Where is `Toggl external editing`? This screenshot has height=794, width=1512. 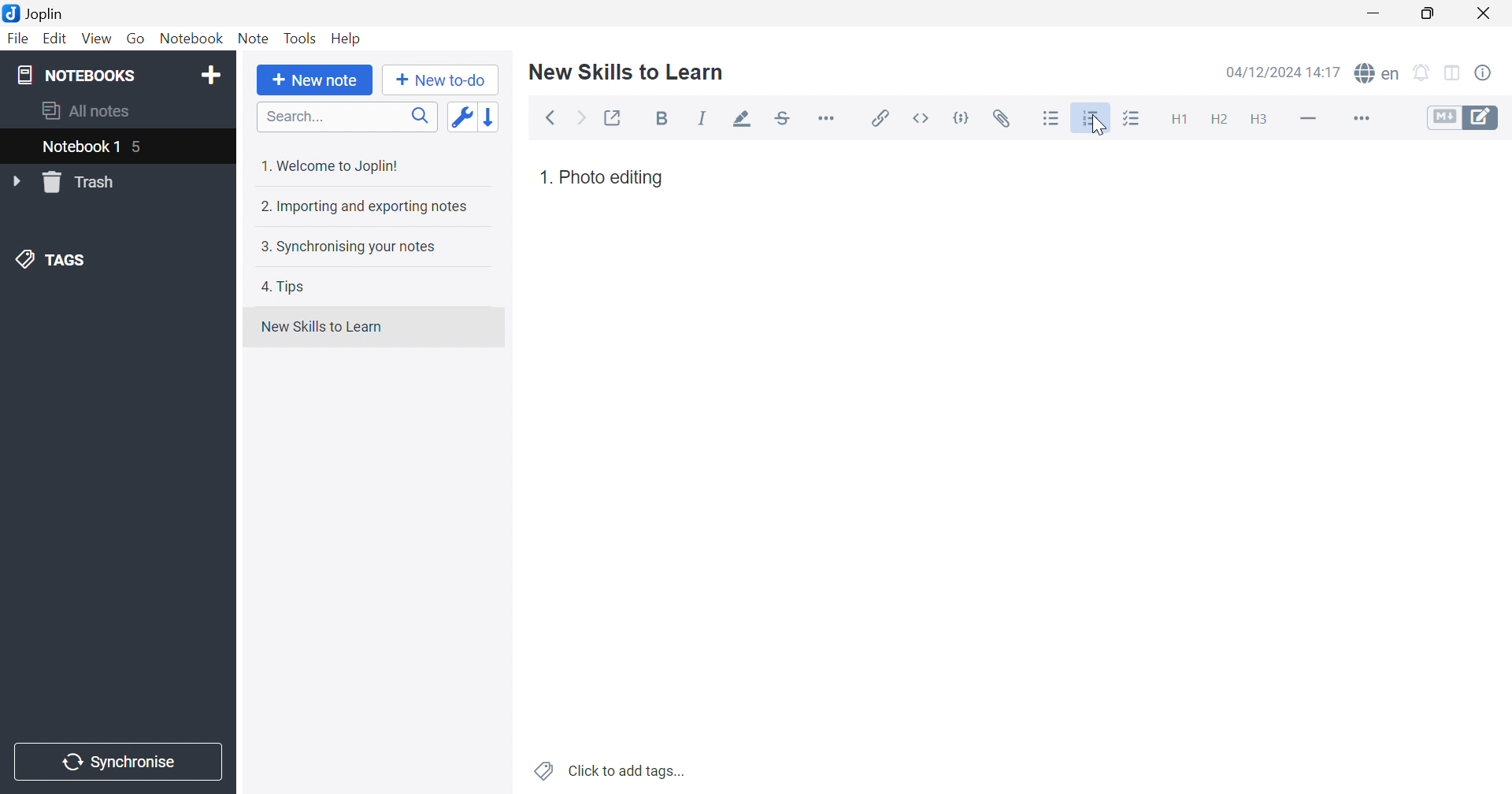
Toggl external editing is located at coordinates (614, 118).